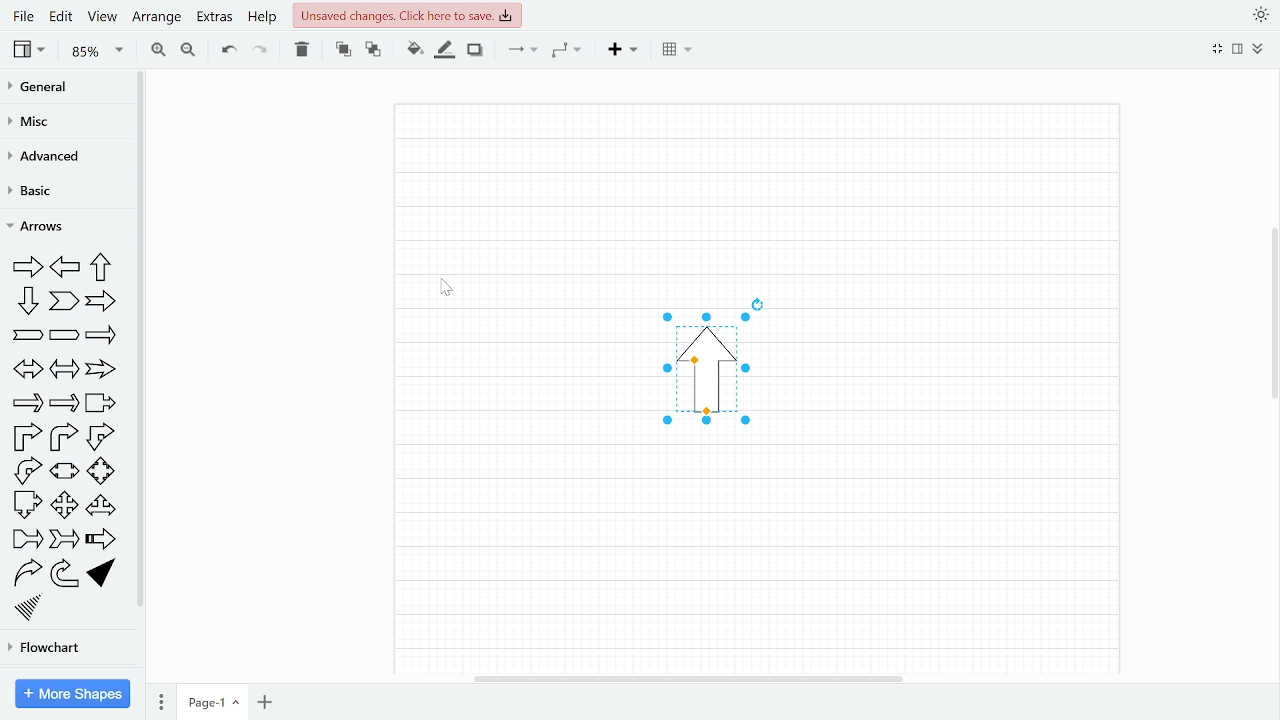 Image resolution: width=1280 pixels, height=720 pixels. I want to click on Advanced, so click(44, 160).